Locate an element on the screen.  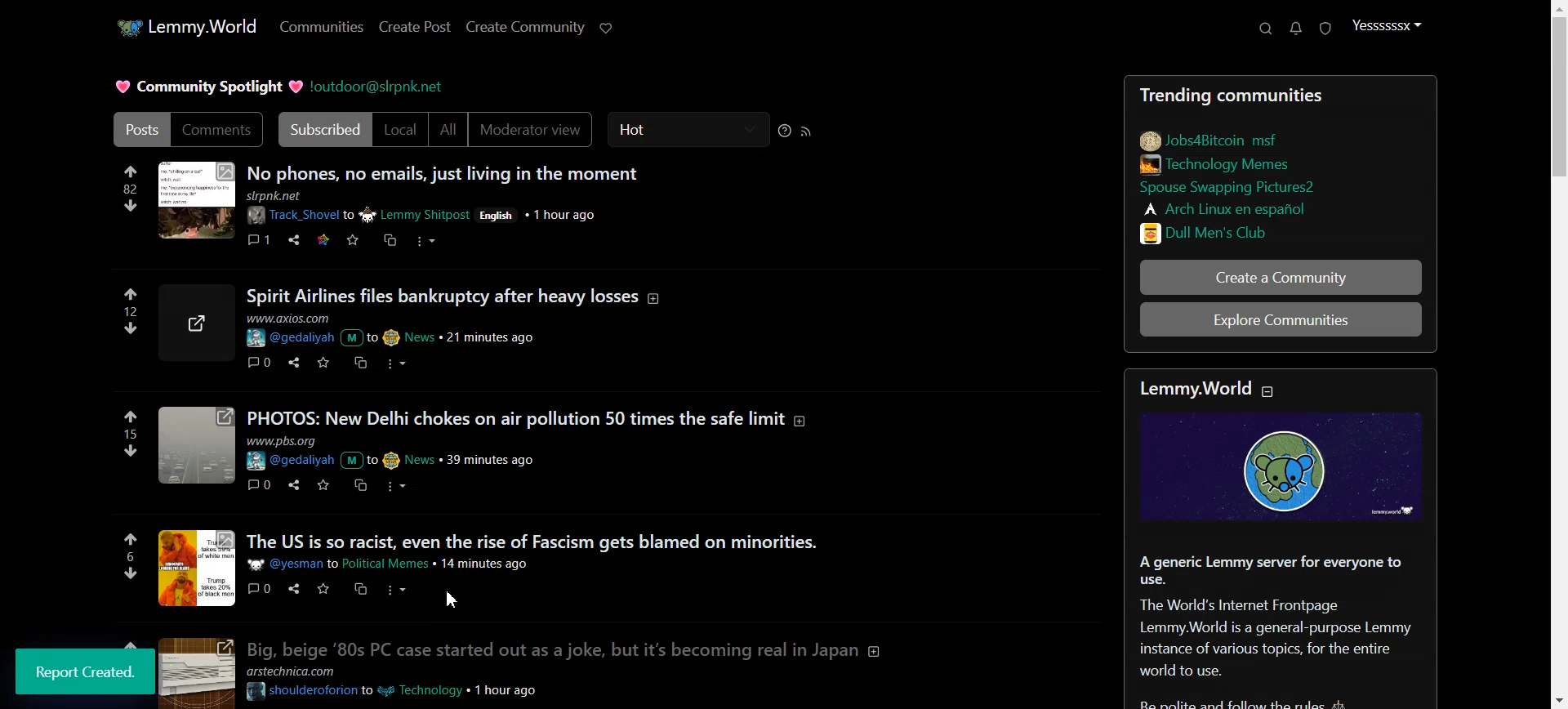
more is located at coordinates (393, 362).